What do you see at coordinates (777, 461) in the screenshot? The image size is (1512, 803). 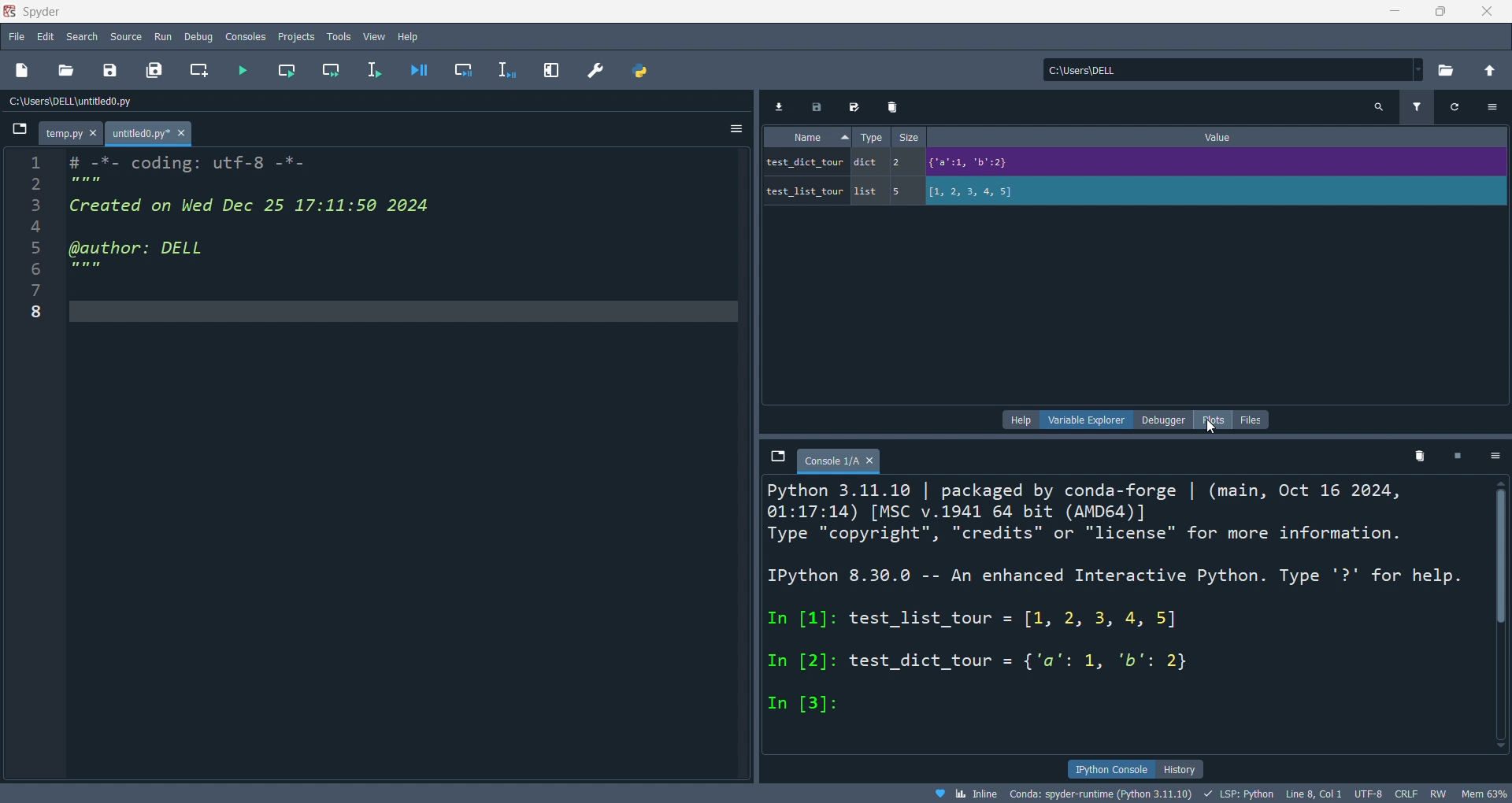 I see `browse tabs` at bounding box center [777, 461].